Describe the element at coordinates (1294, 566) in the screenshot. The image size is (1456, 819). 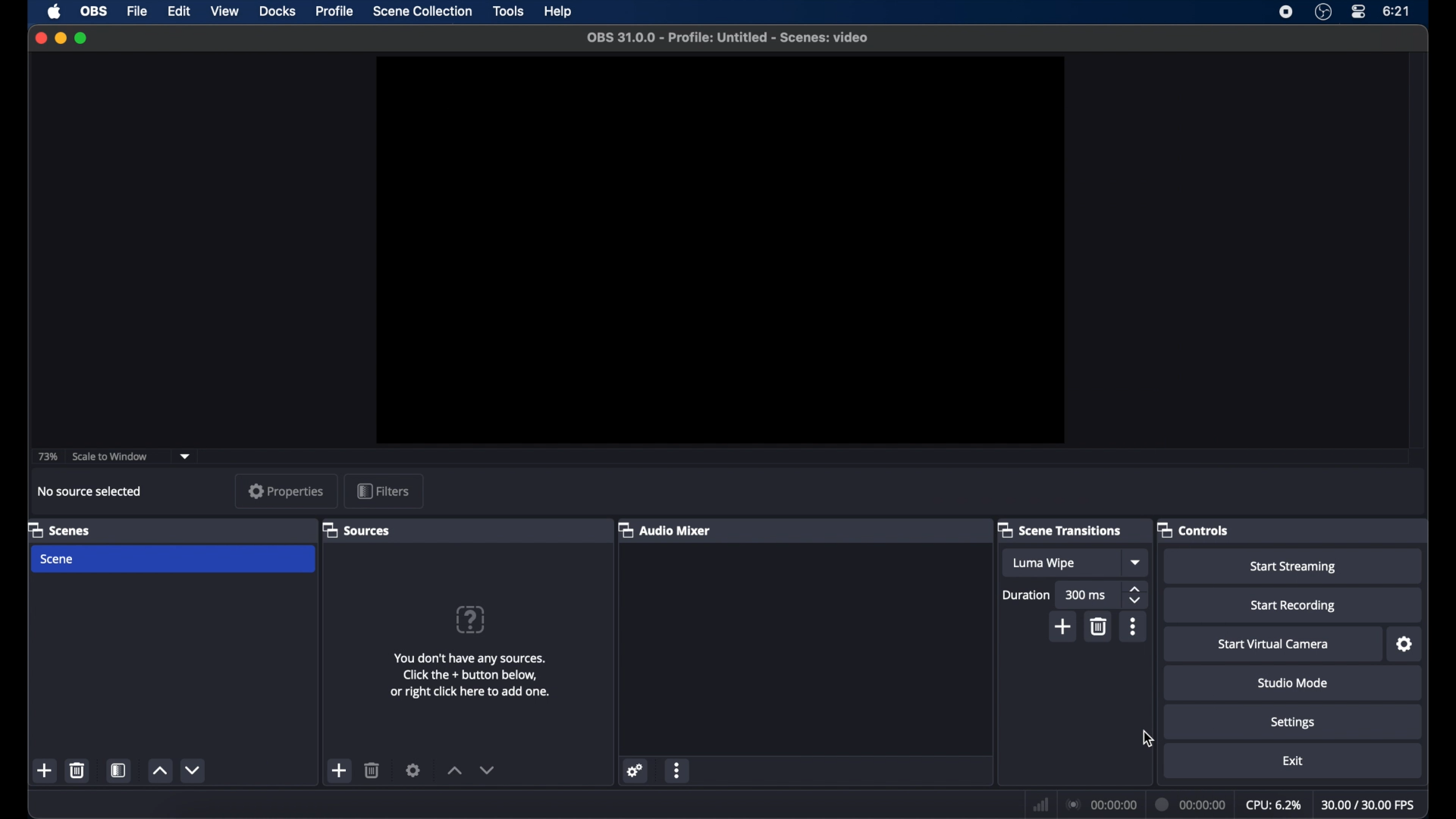
I see `start streaming` at that location.